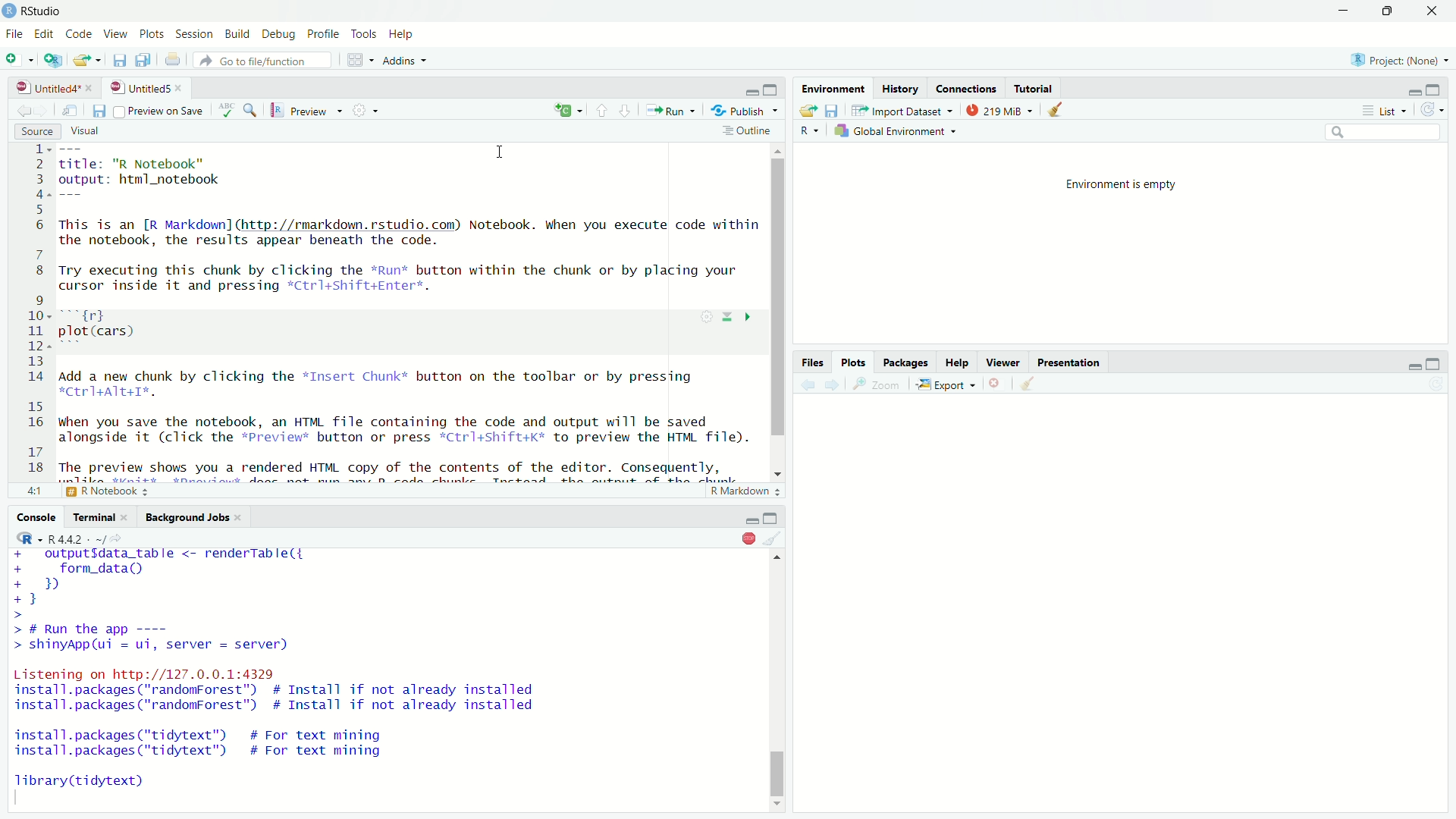  What do you see at coordinates (116, 34) in the screenshot?
I see `View` at bounding box center [116, 34].